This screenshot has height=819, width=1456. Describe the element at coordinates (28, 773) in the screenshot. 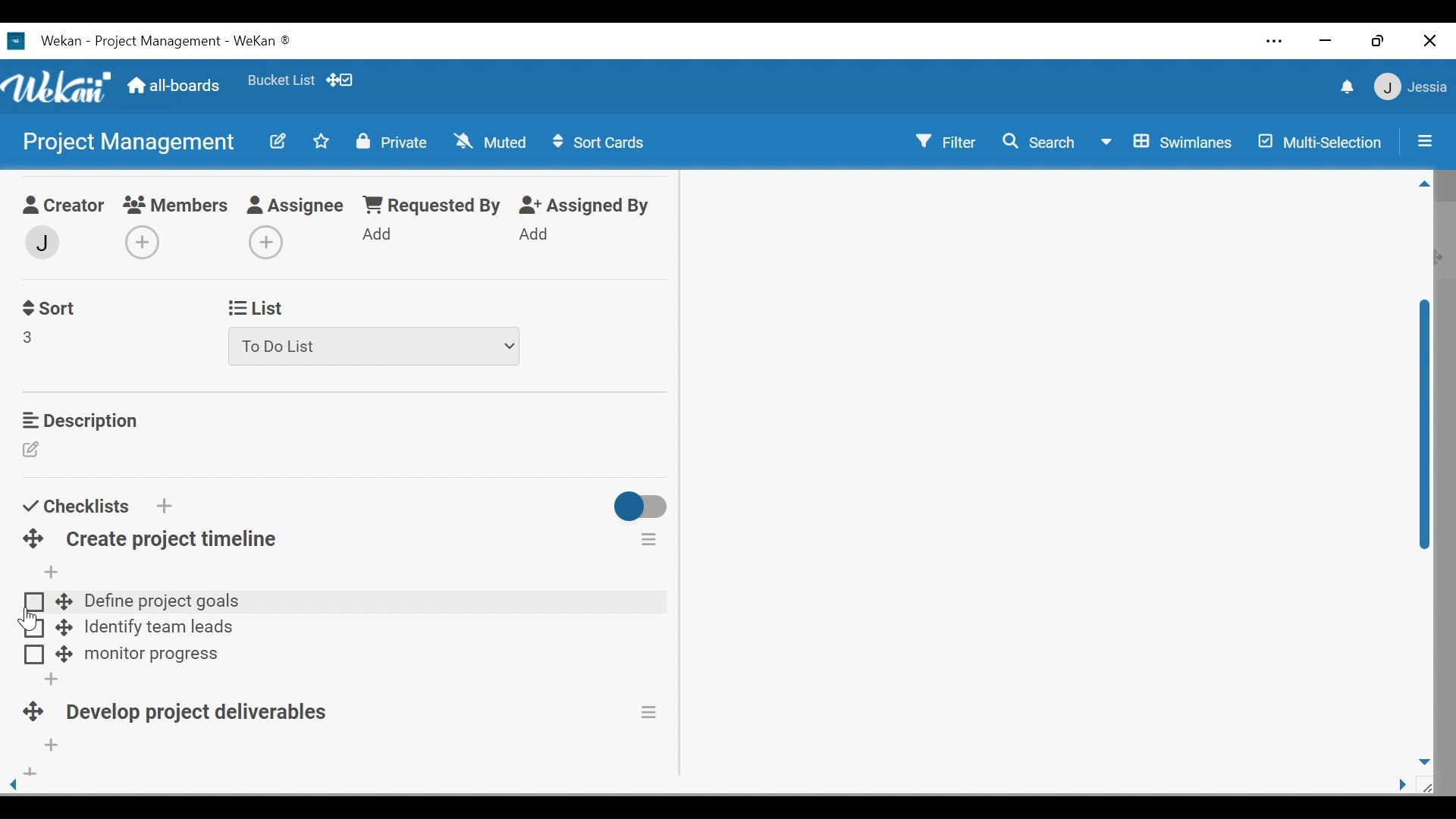

I see `add` at that location.